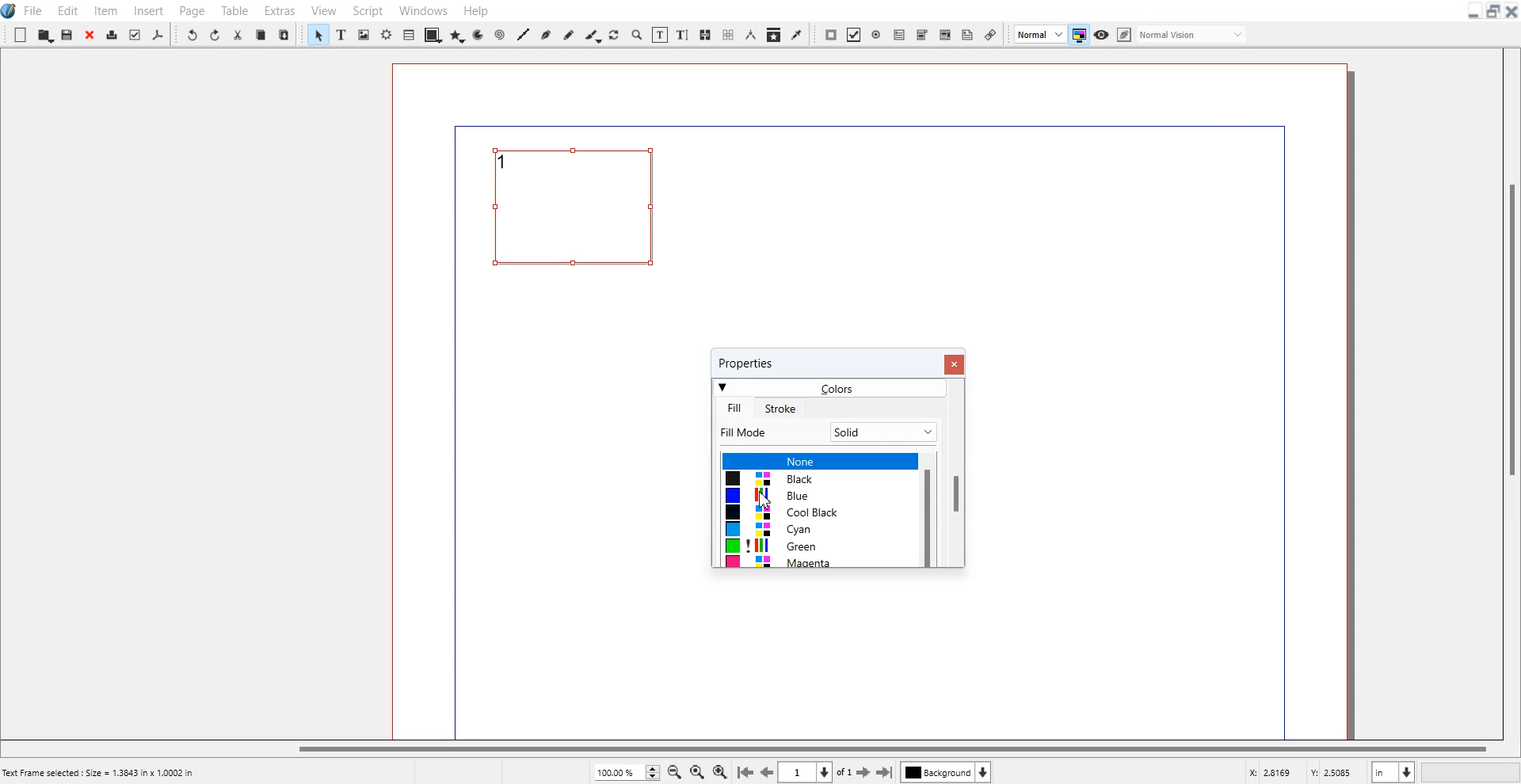  I want to click on Image frame, so click(363, 34).